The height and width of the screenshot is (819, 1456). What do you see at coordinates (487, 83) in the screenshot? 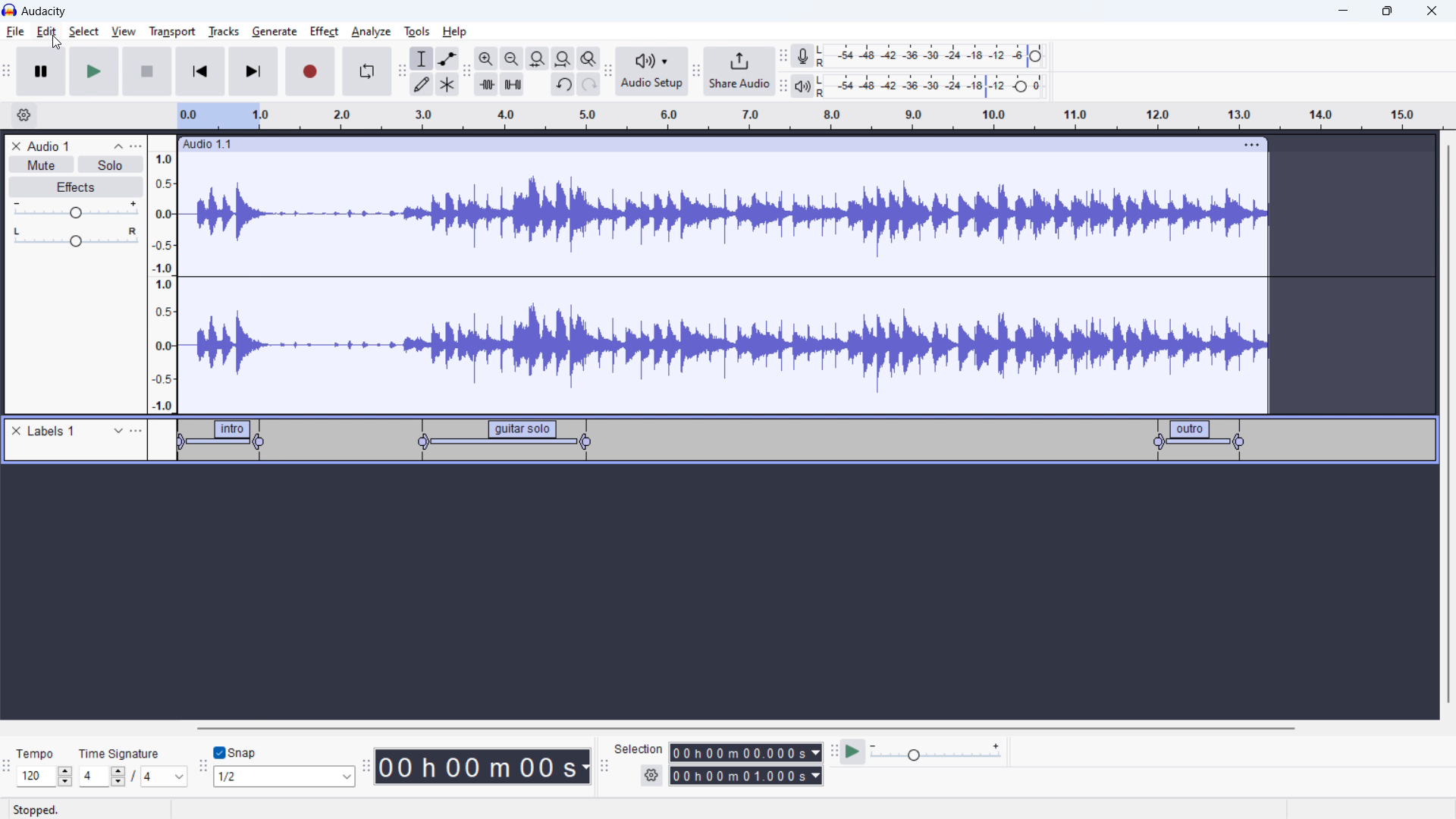
I see `trim audio outside selection` at bounding box center [487, 83].